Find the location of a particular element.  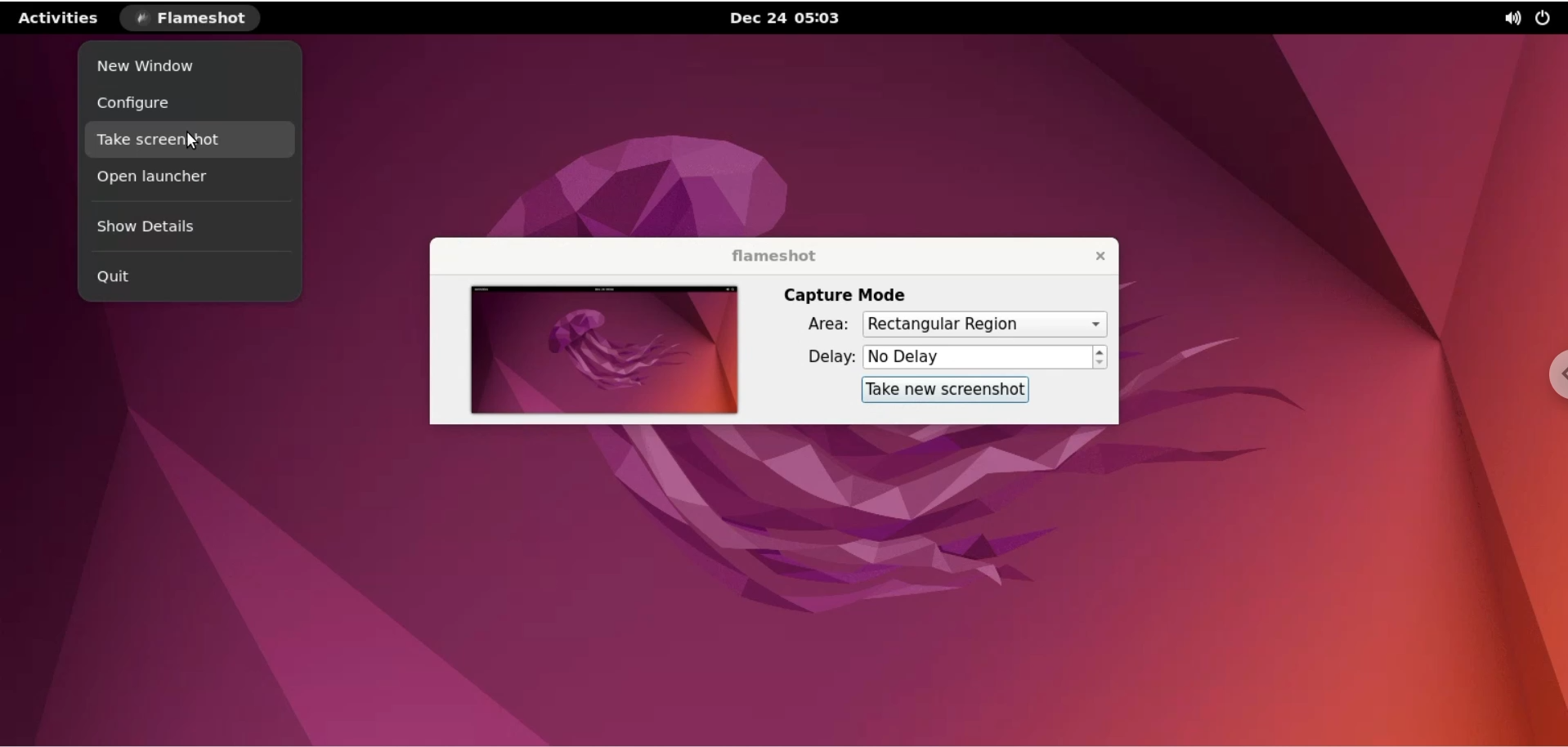

Dec 24 05:03 is located at coordinates (792, 18).